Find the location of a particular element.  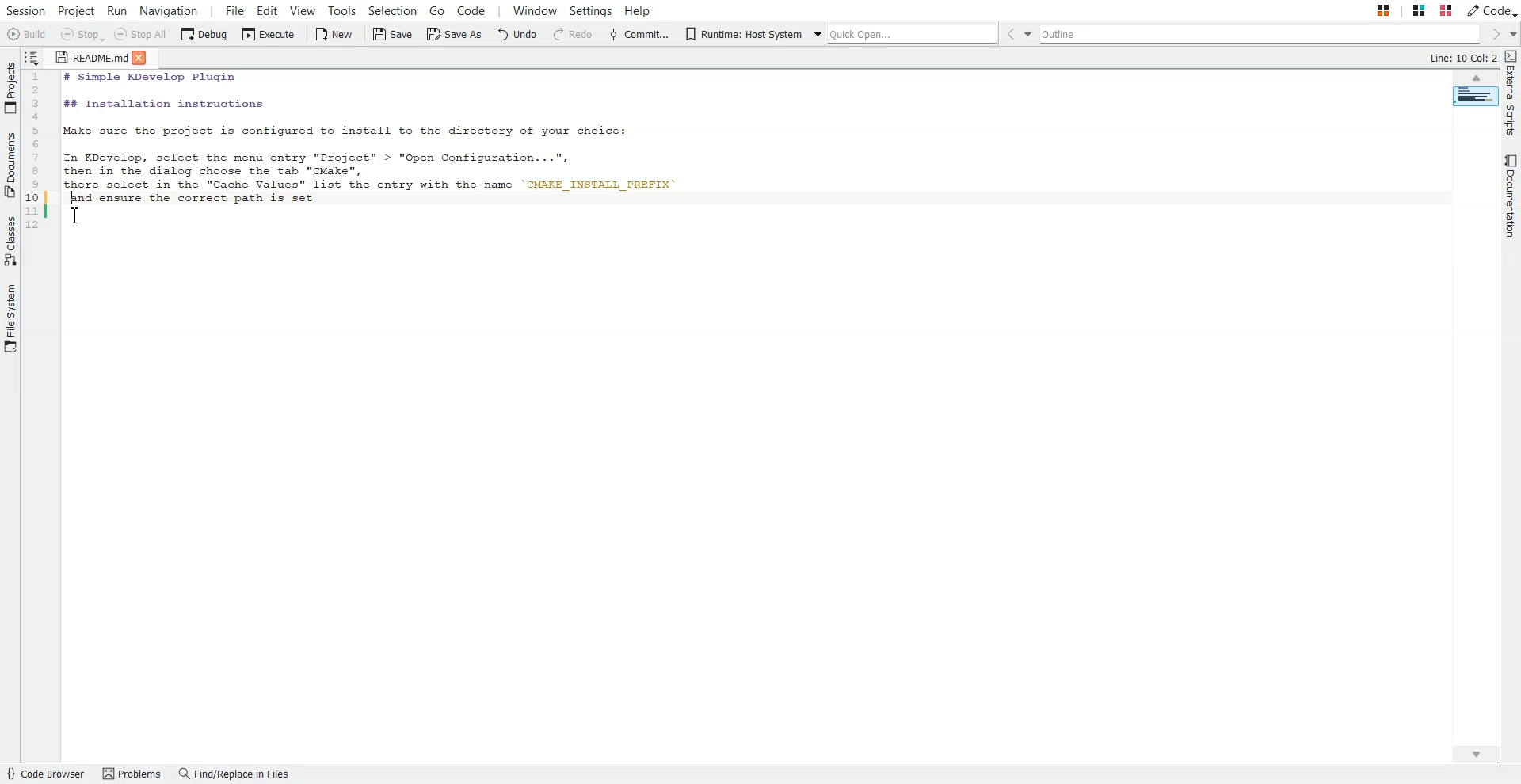

File is located at coordinates (235, 10).